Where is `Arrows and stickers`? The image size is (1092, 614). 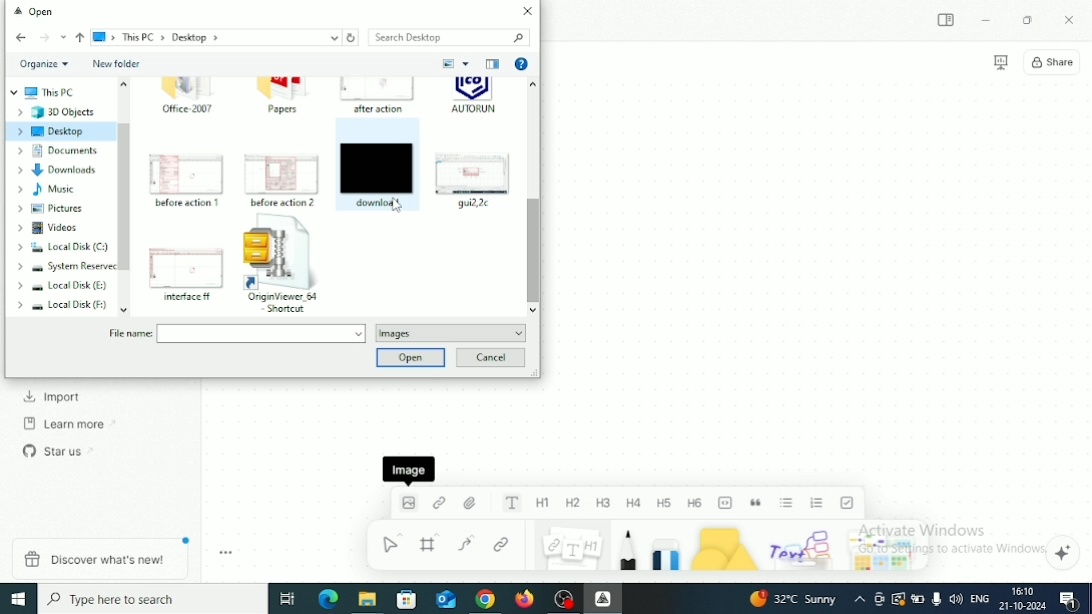
Arrows and stickers is located at coordinates (885, 549).